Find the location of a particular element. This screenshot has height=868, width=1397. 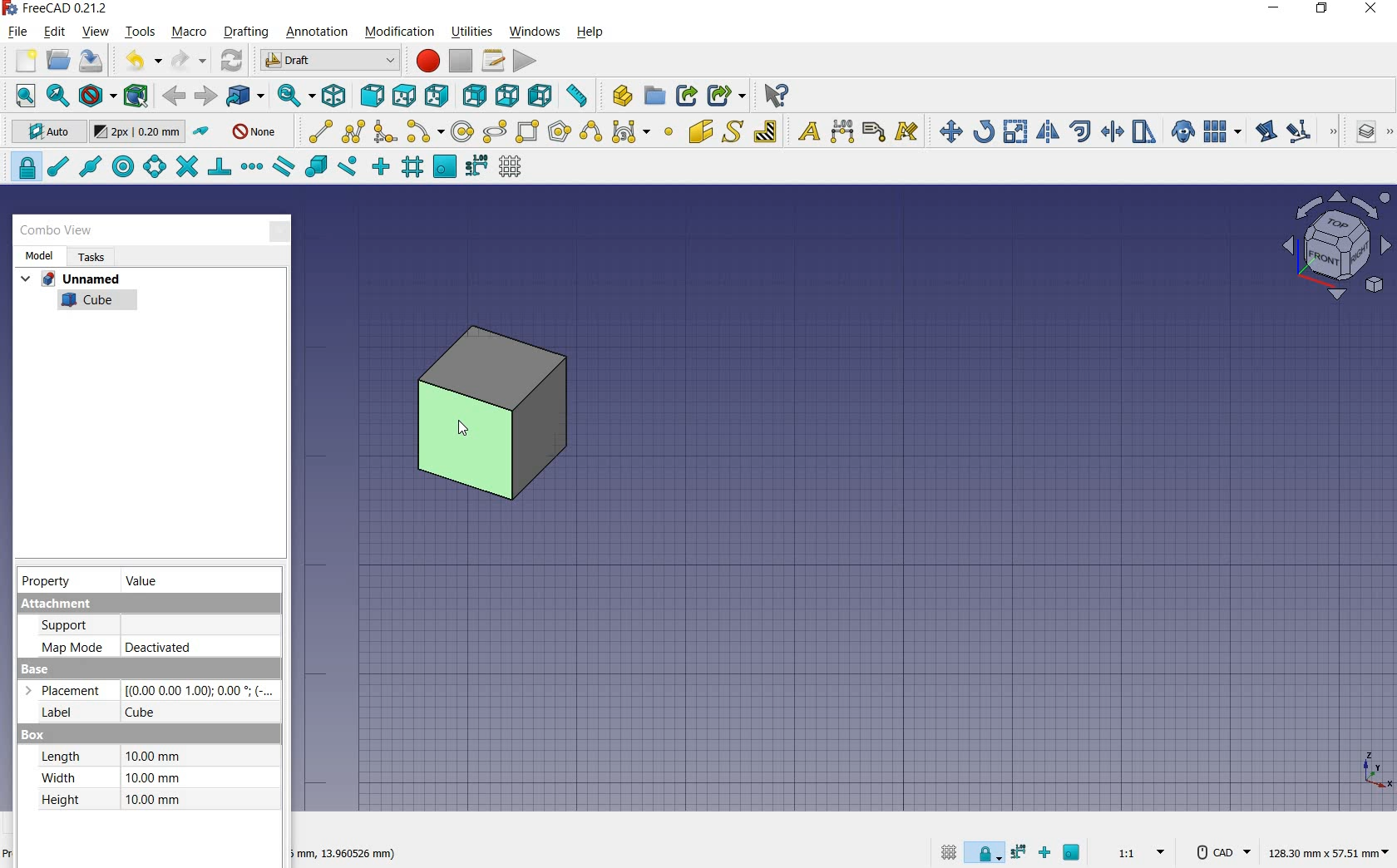

stretch is located at coordinates (1144, 132).